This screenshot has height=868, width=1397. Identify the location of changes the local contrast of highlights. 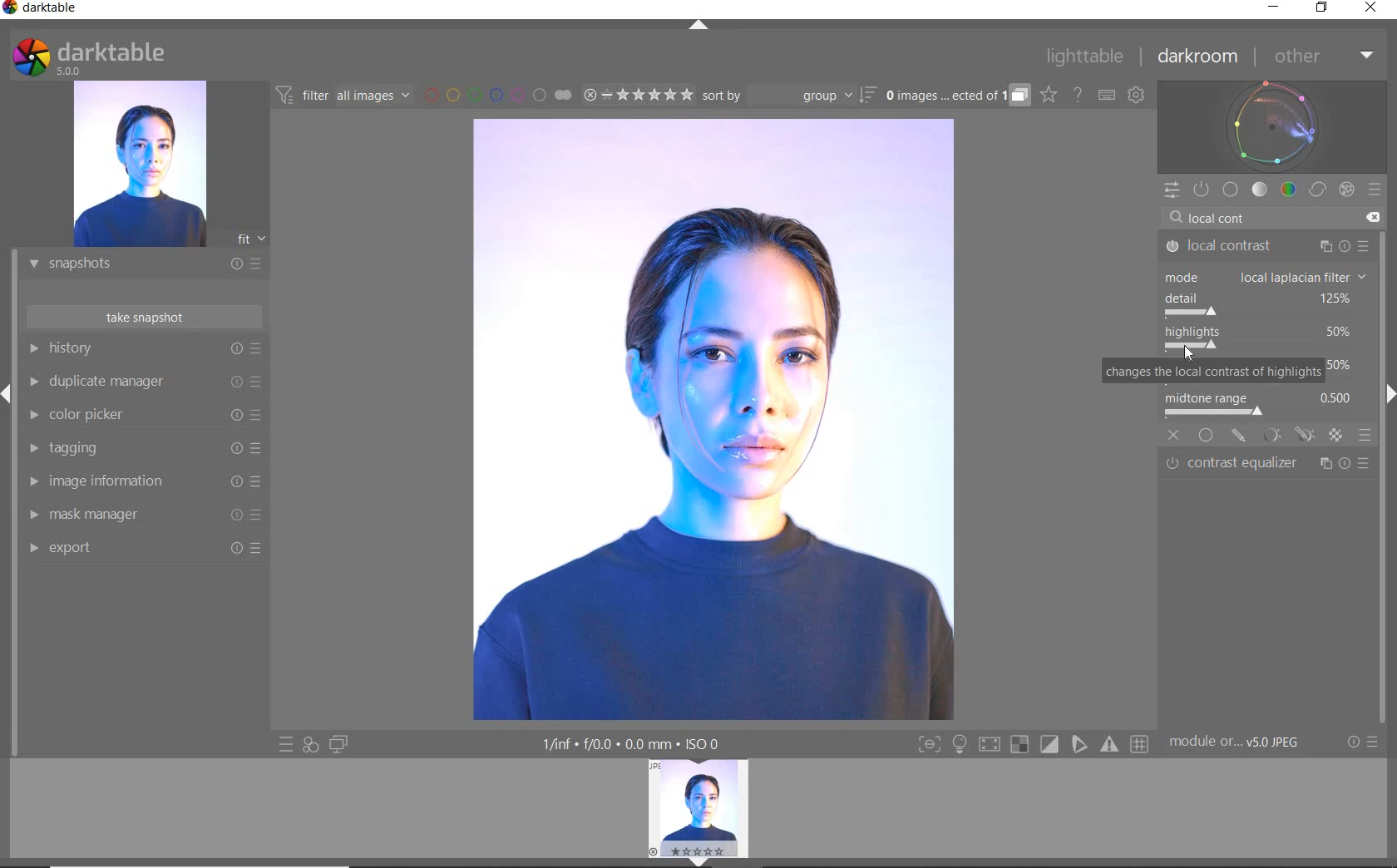
(1213, 372).